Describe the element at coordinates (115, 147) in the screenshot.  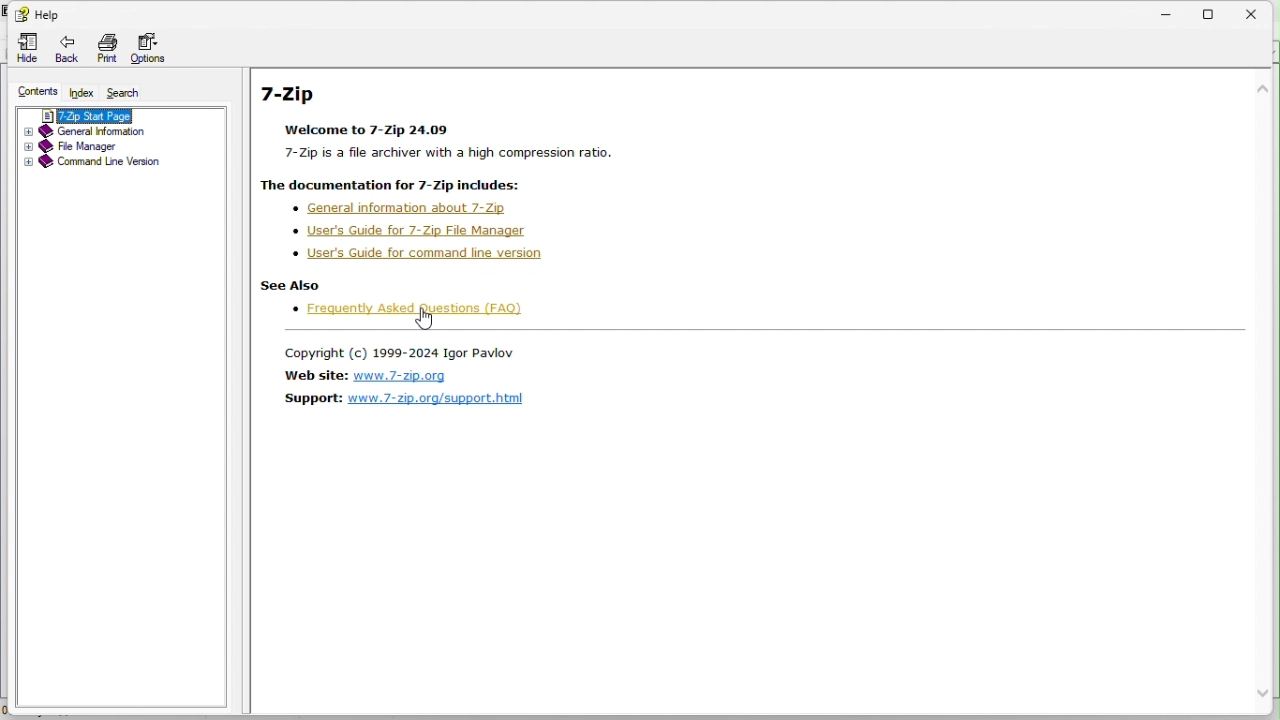
I see `File manager` at that location.